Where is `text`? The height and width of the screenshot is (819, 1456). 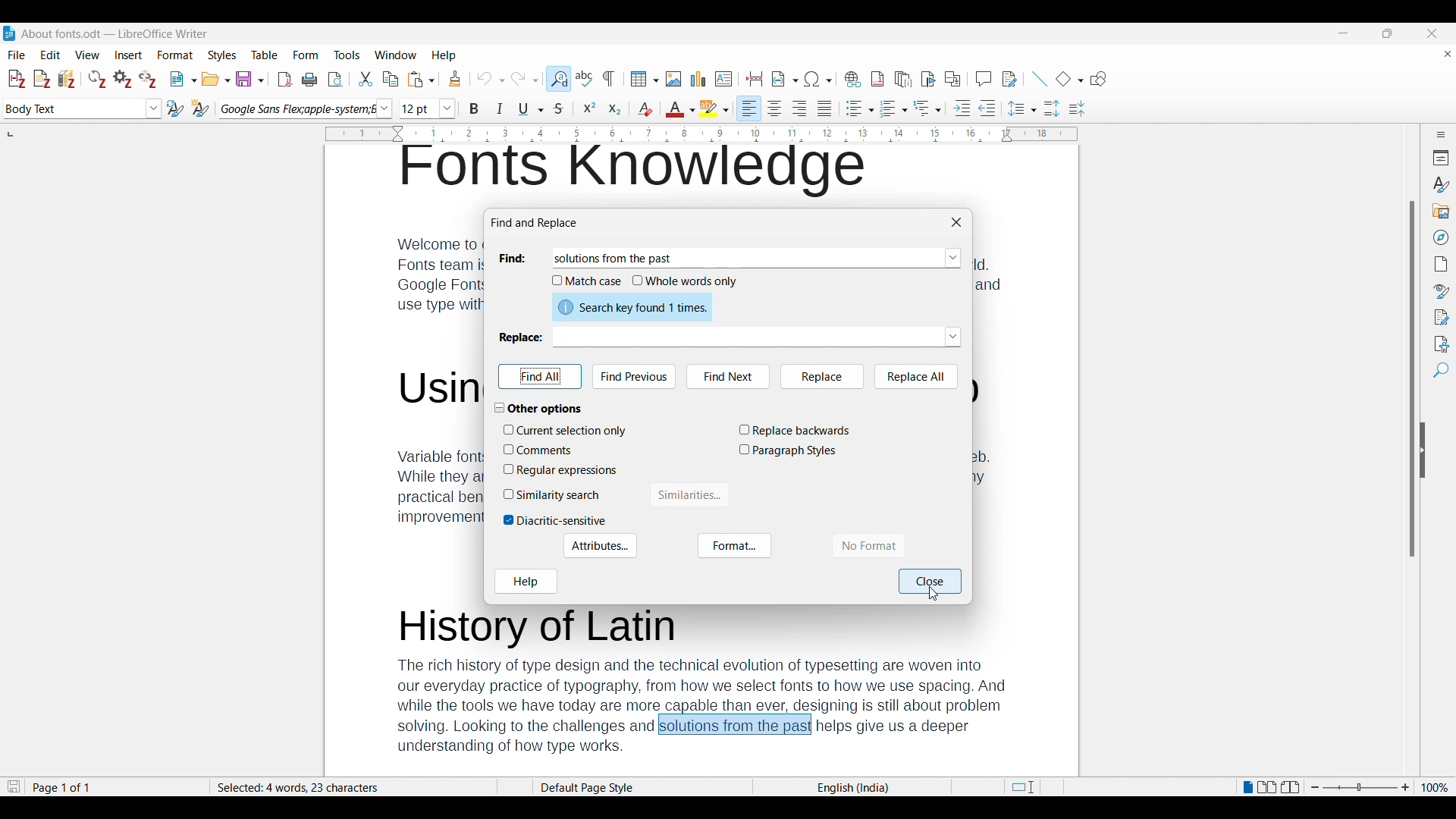
text is located at coordinates (438, 417).